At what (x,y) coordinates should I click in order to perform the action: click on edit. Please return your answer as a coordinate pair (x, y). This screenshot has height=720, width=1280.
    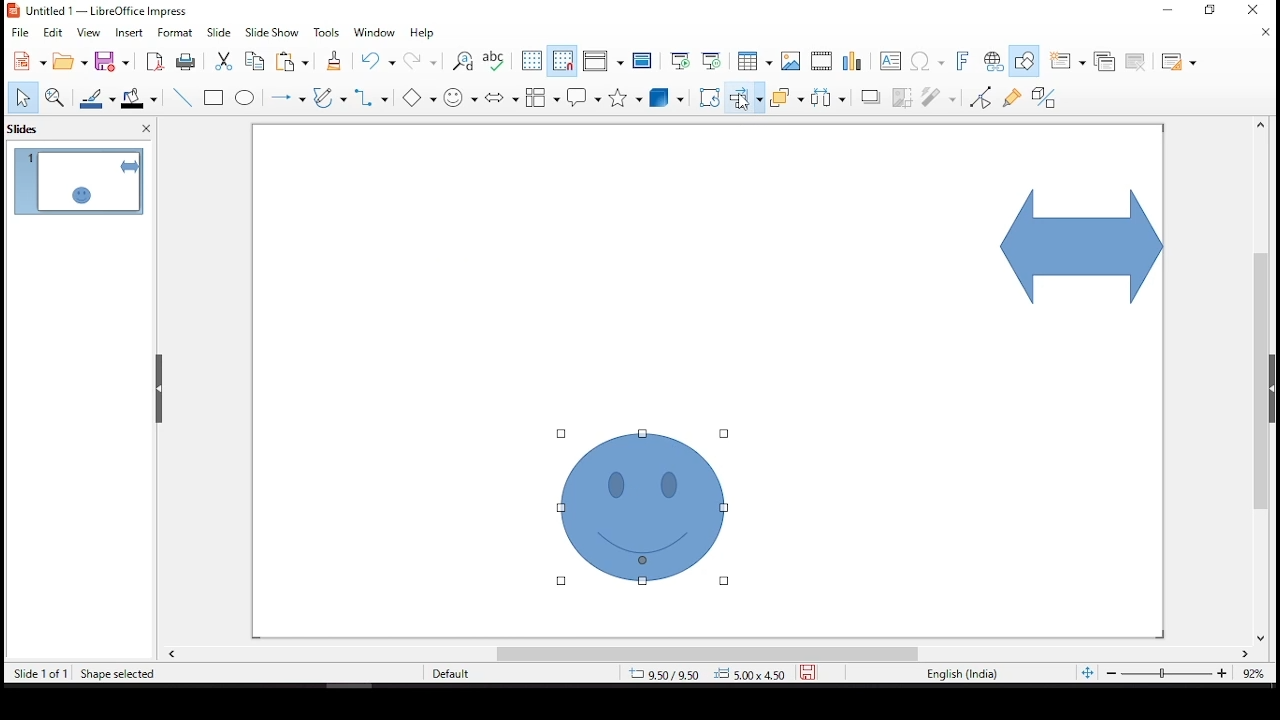
    Looking at the image, I should click on (53, 31).